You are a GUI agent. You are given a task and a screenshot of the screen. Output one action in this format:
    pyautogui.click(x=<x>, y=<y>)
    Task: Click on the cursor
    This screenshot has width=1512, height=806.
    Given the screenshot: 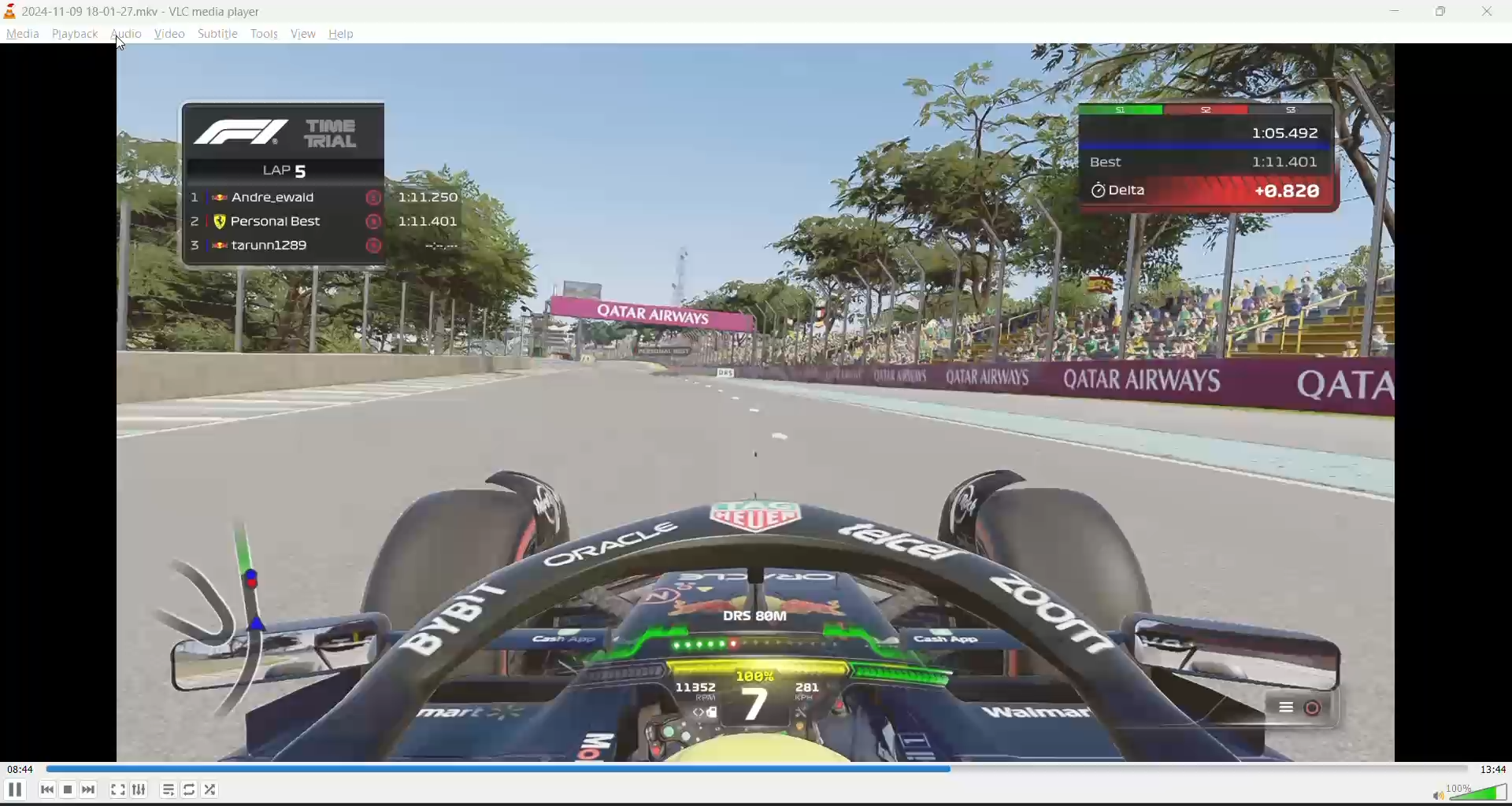 What is the action you would take?
    pyautogui.click(x=124, y=45)
    